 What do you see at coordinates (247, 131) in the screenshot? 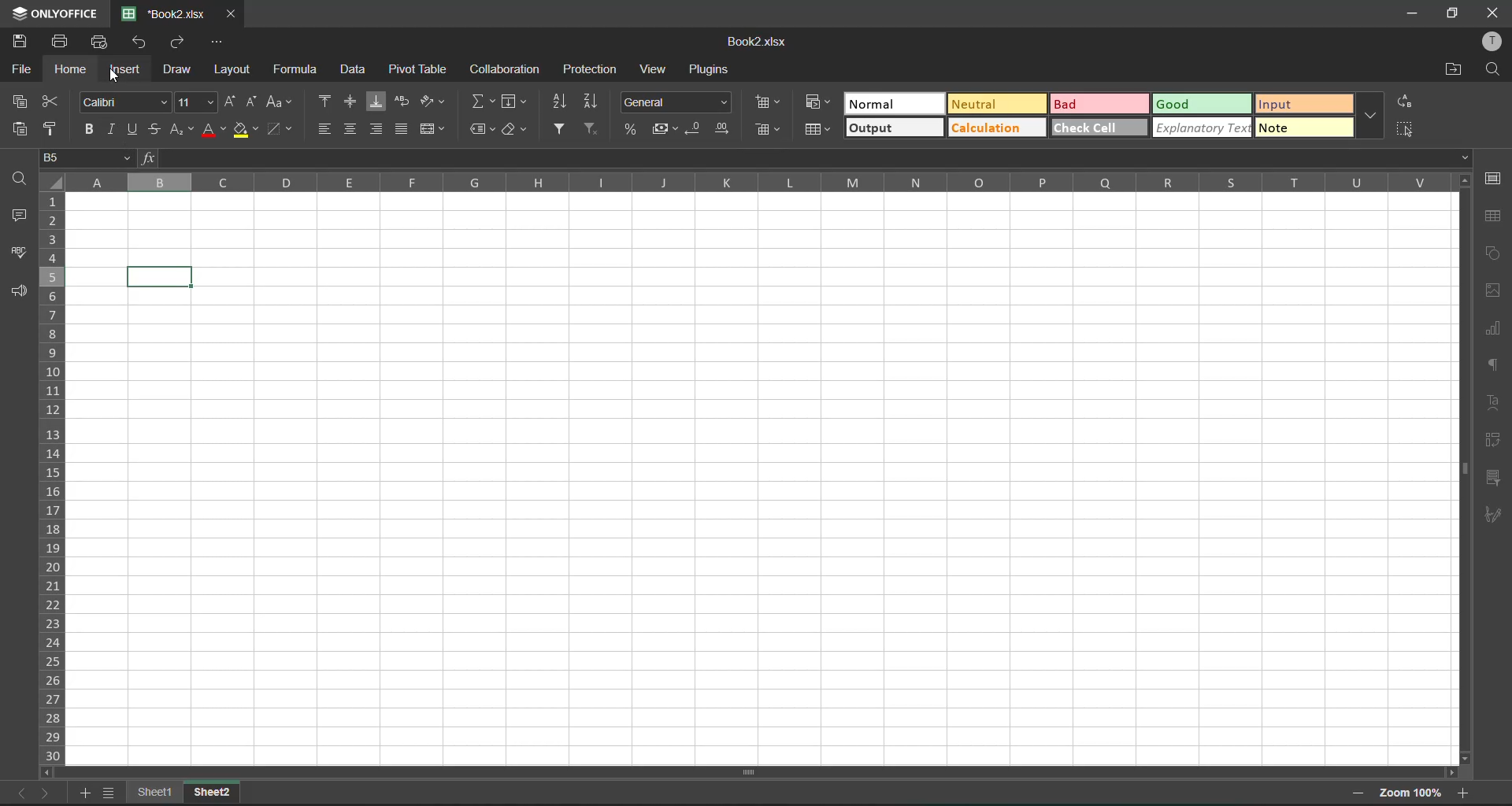
I see `fill color` at bounding box center [247, 131].